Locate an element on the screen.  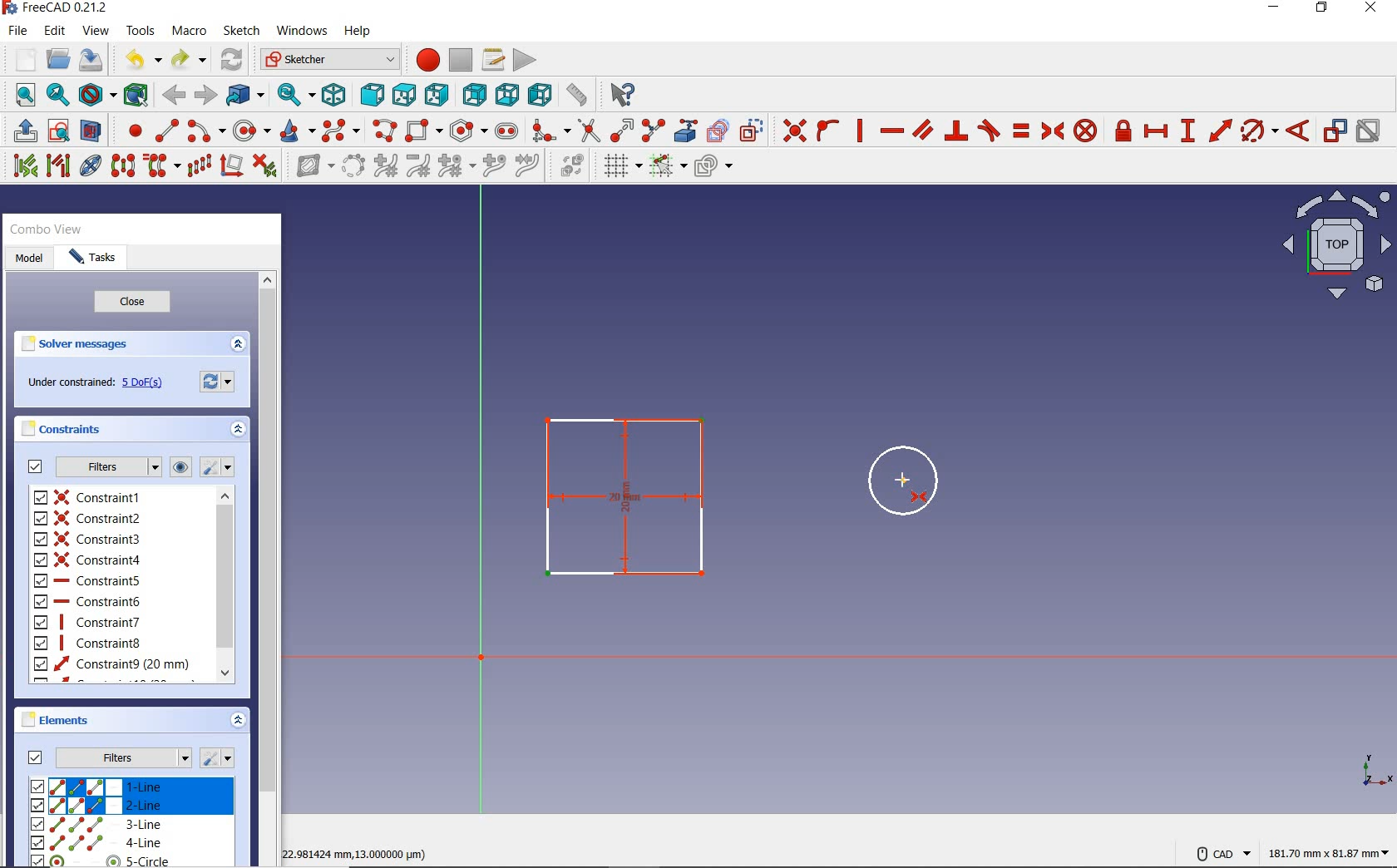
measure distance is located at coordinates (578, 94).